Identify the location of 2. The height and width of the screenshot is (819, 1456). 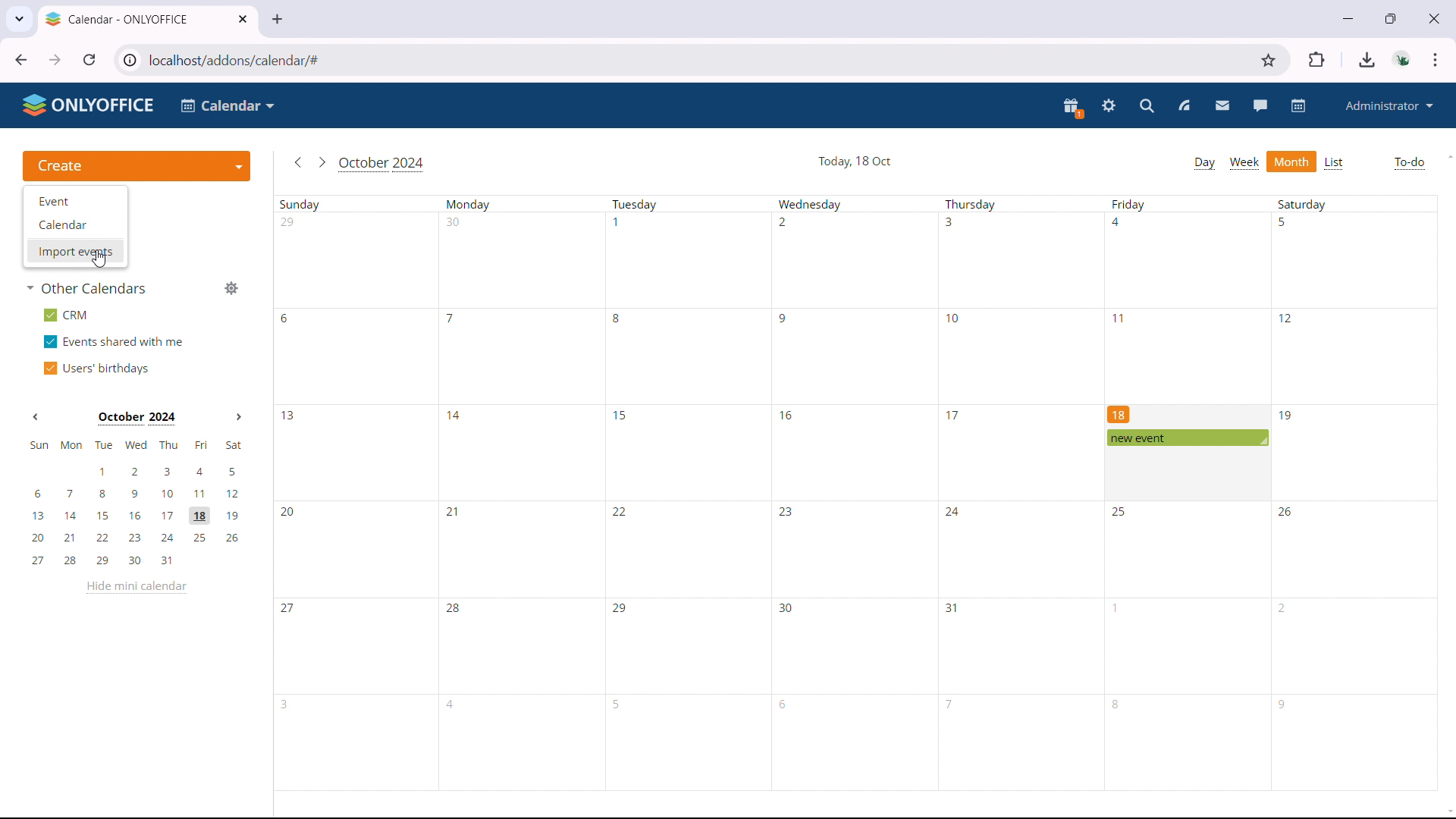
(783, 222).